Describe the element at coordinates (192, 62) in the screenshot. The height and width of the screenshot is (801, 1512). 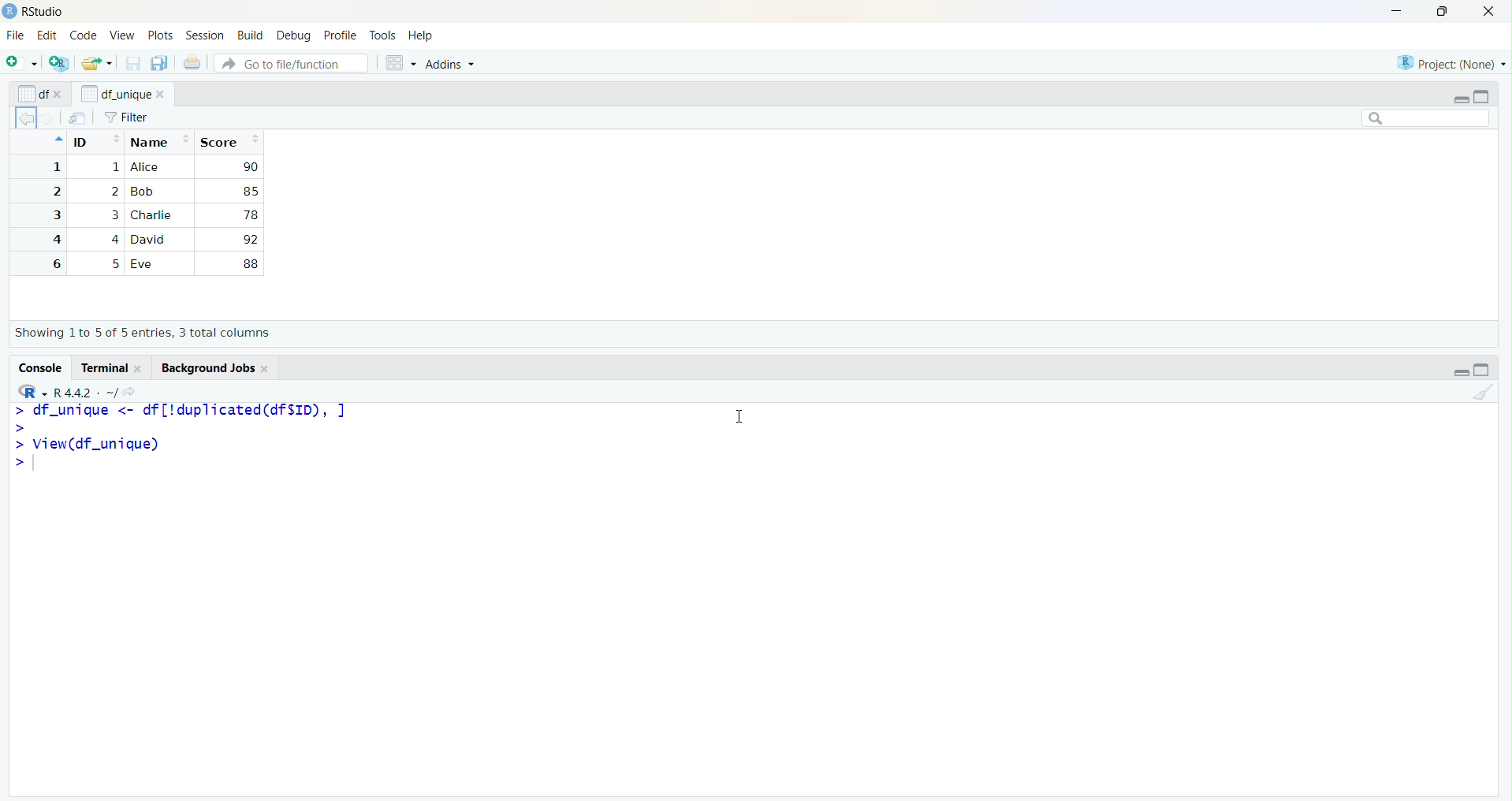
I see `print` at that location.